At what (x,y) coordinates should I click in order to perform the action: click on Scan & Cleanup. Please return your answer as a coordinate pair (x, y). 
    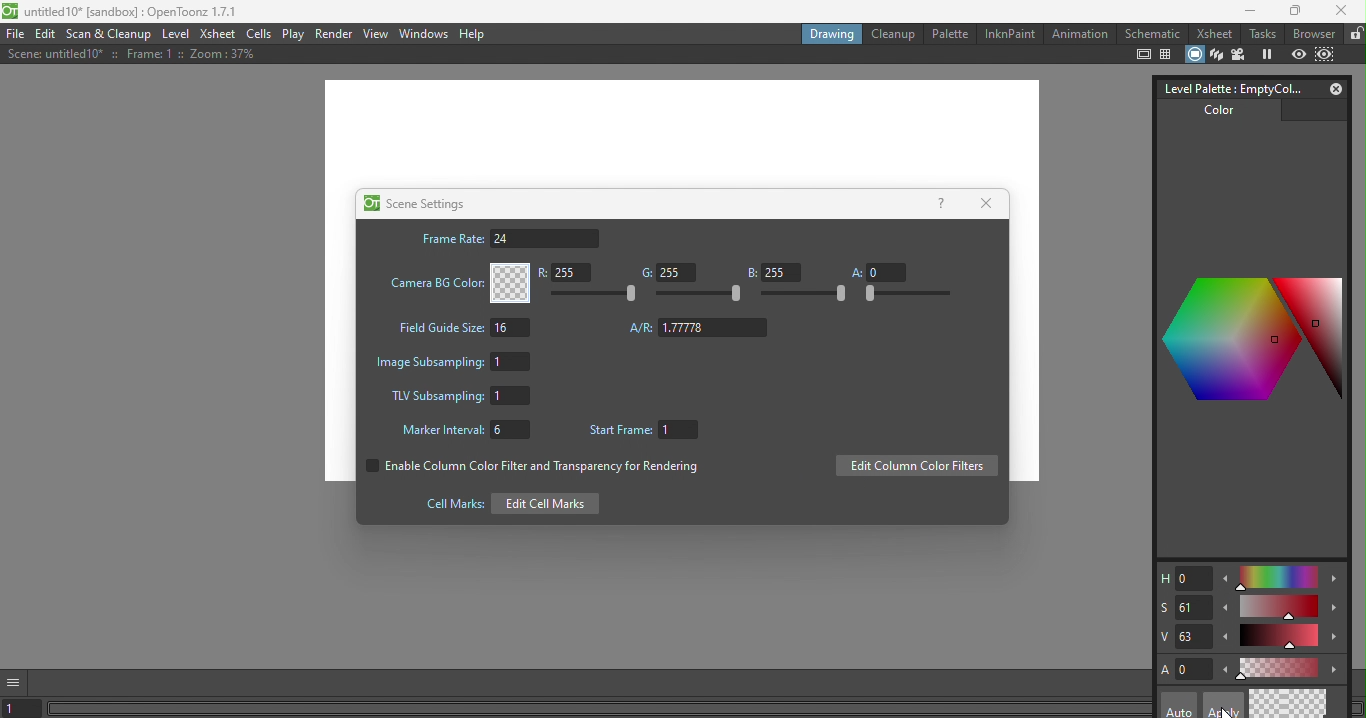
    Looking at the image, I should click on (113, 34).